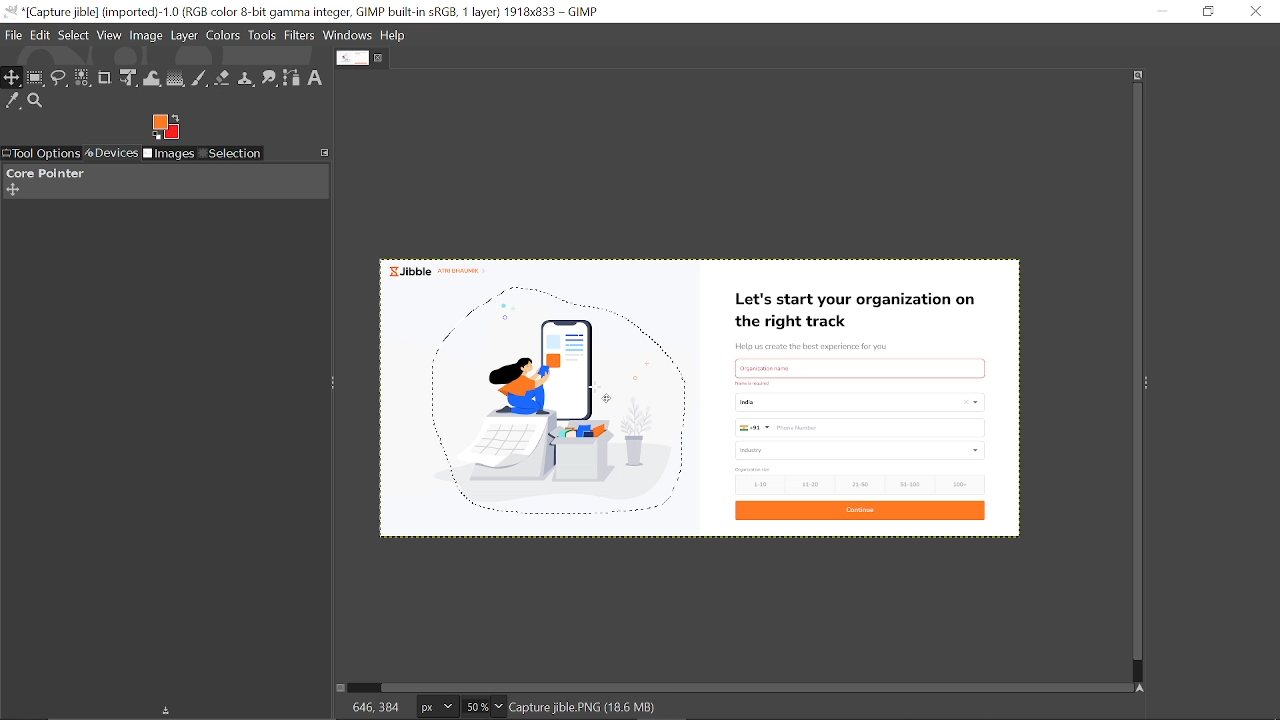  Describe the element at coordinates (862, 450) in the screenshot. I see `industry` at that location.